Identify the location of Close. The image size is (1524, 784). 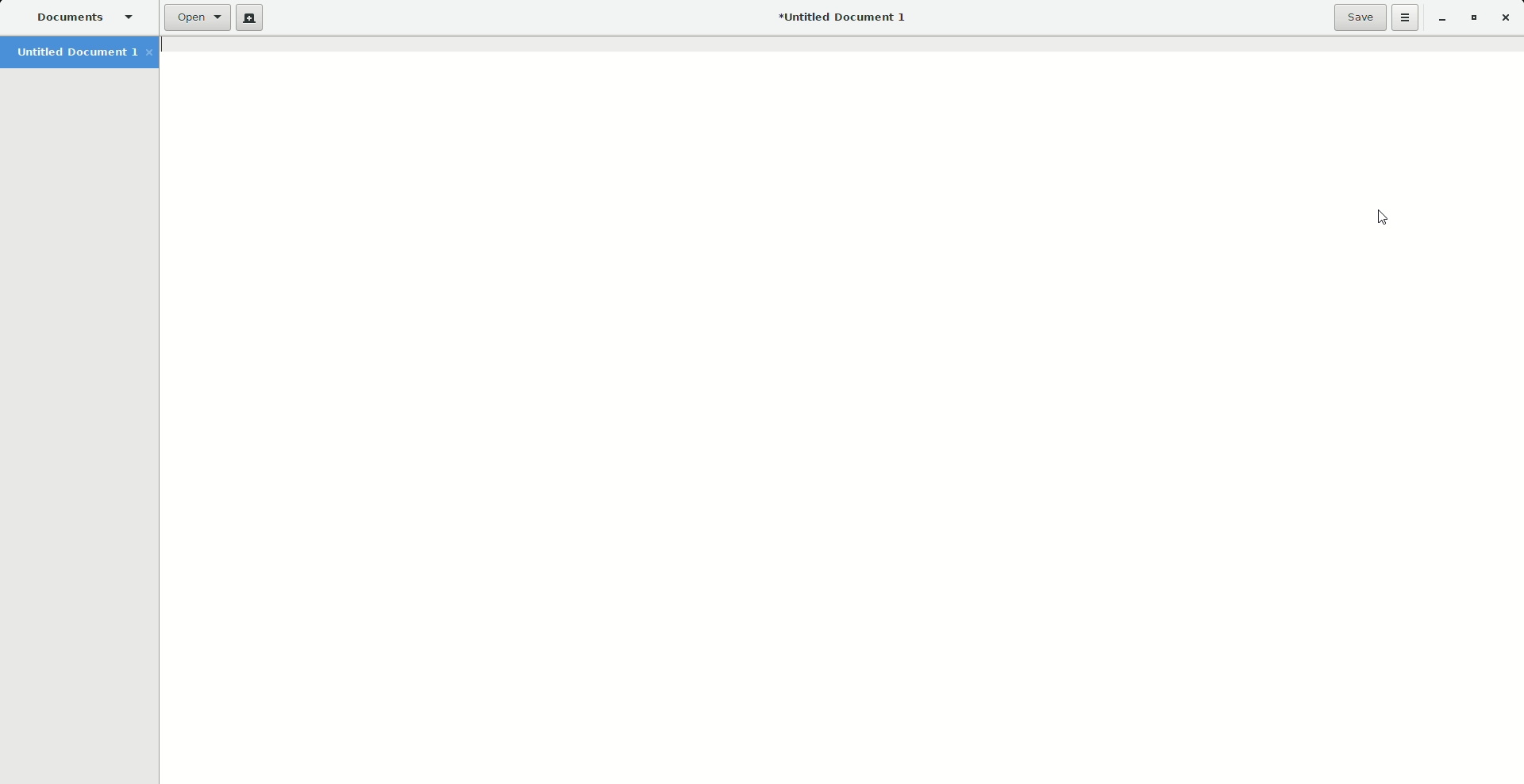
(1506, 17).